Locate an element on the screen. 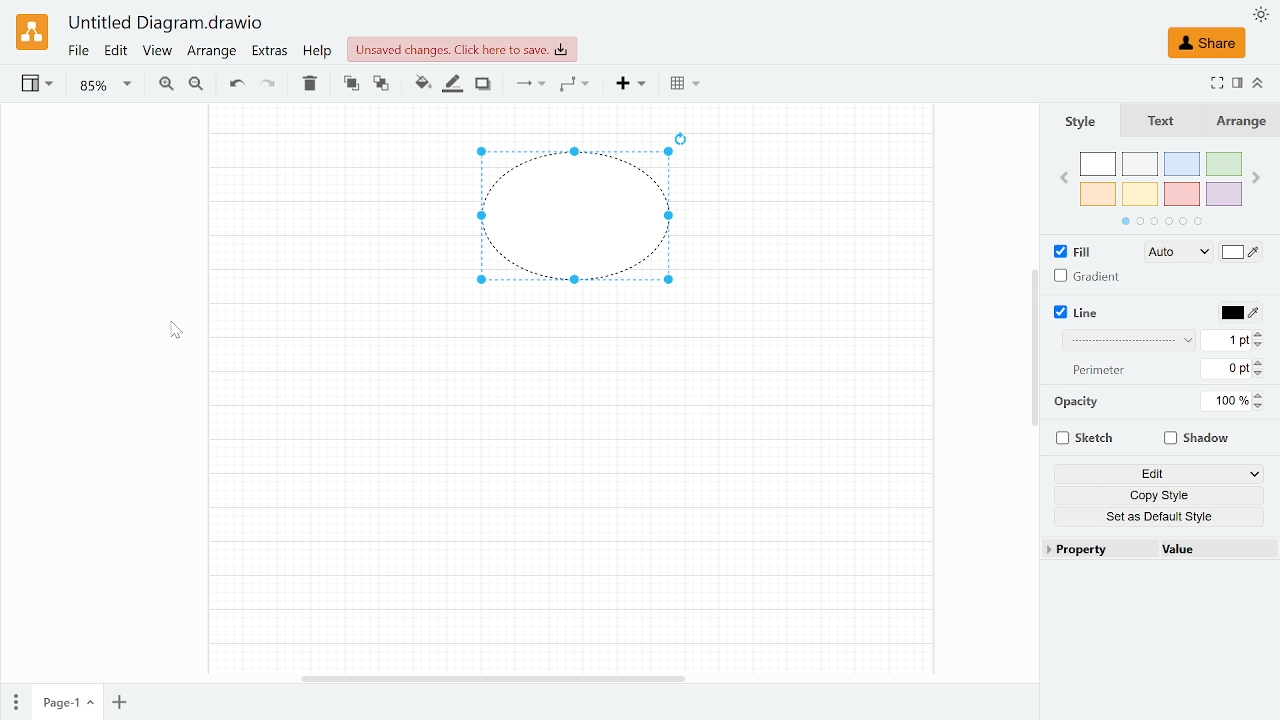  Appearence is located at coordinates (1259, 16).